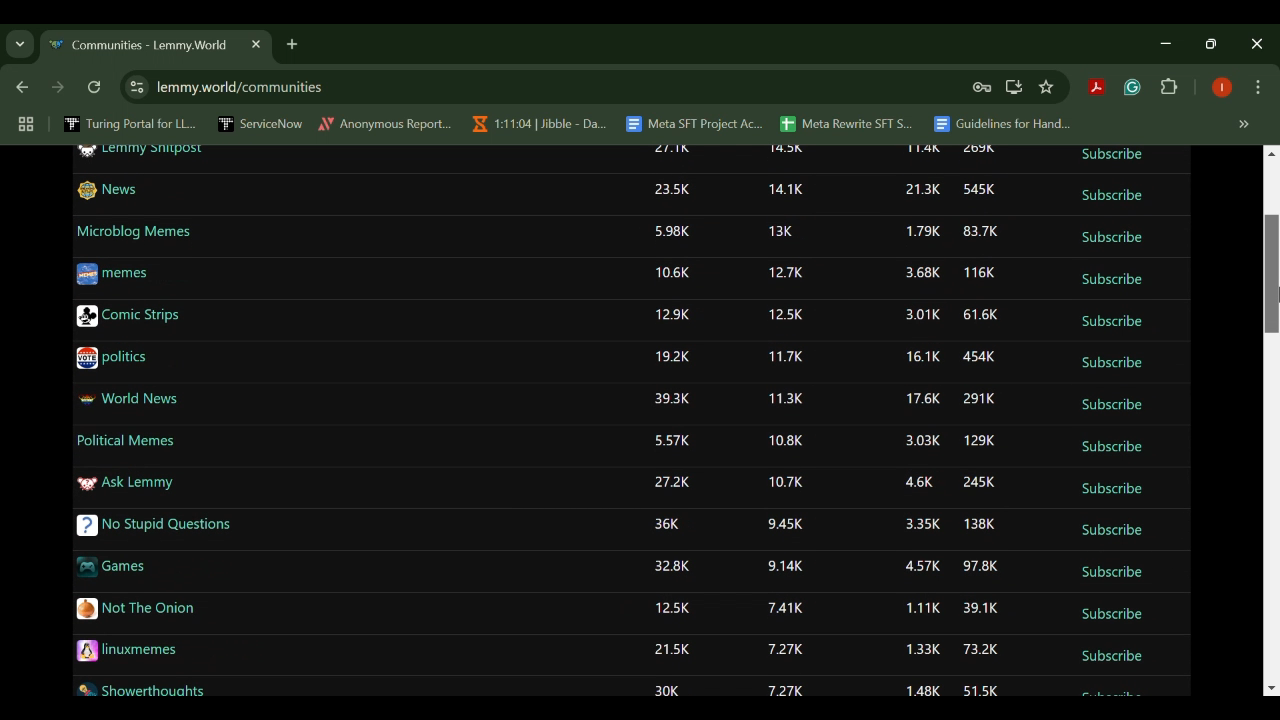 This screenshot has height=720, width=1280. Describe the element at coordinates (980, 524) in the screenshot. I see `138K` at that location.